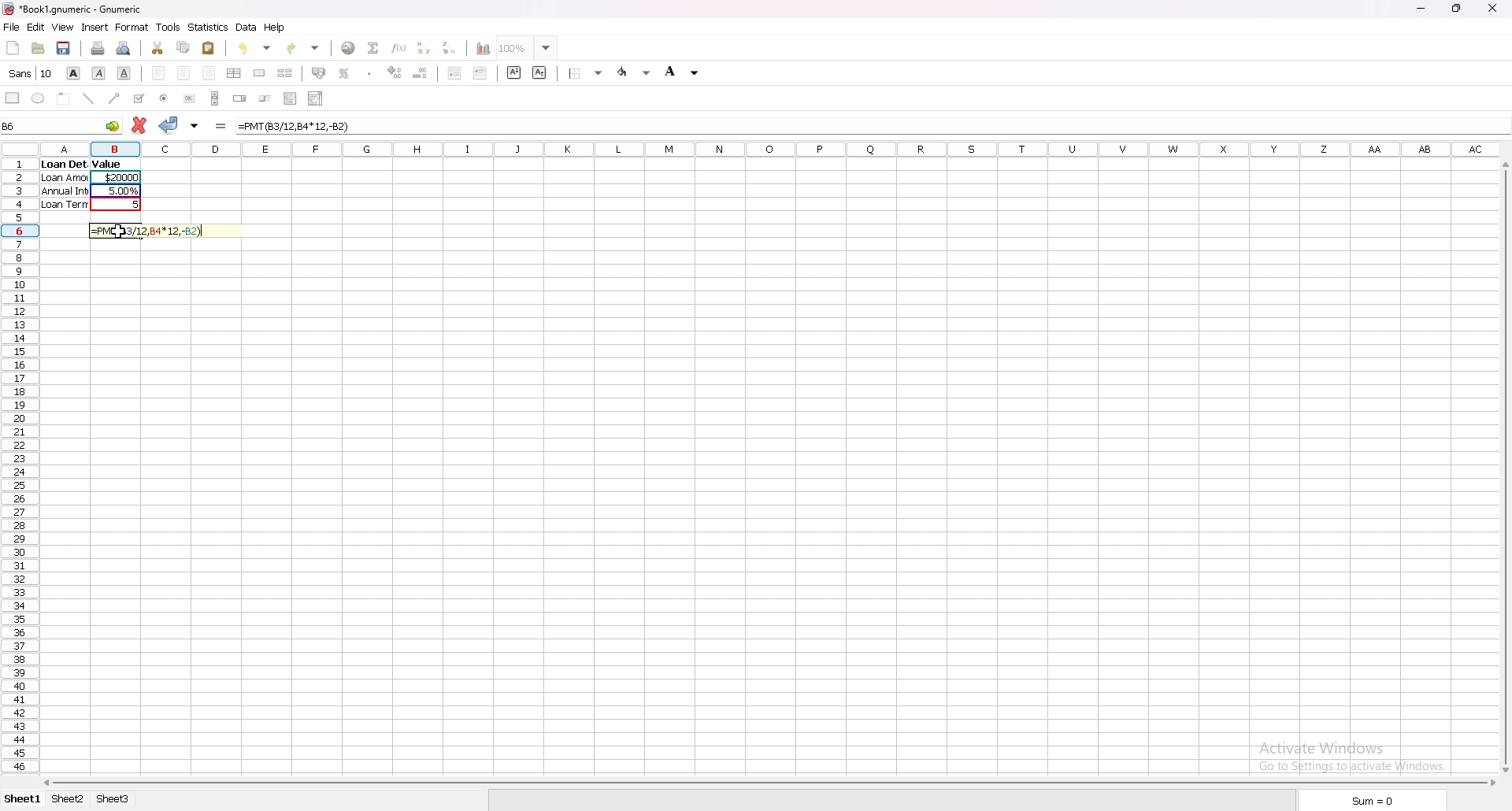  Describe the element at coordinates (349, 48) in the screenshot. I see `hyperlink` at that location.